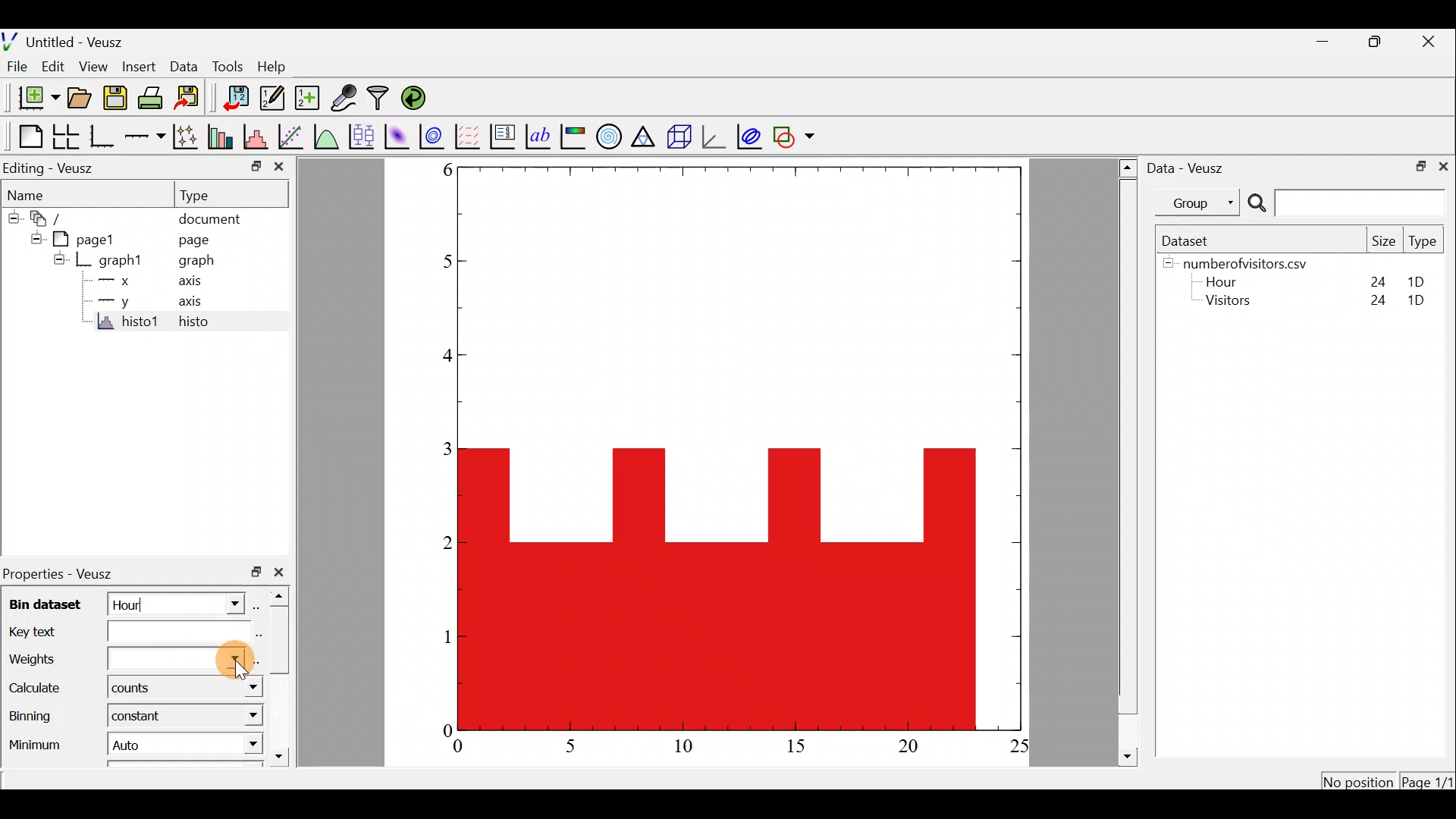  What do you see at coordinates (538, 136) in the screenshot?
I see `text label` at bounding box center [538, 136].